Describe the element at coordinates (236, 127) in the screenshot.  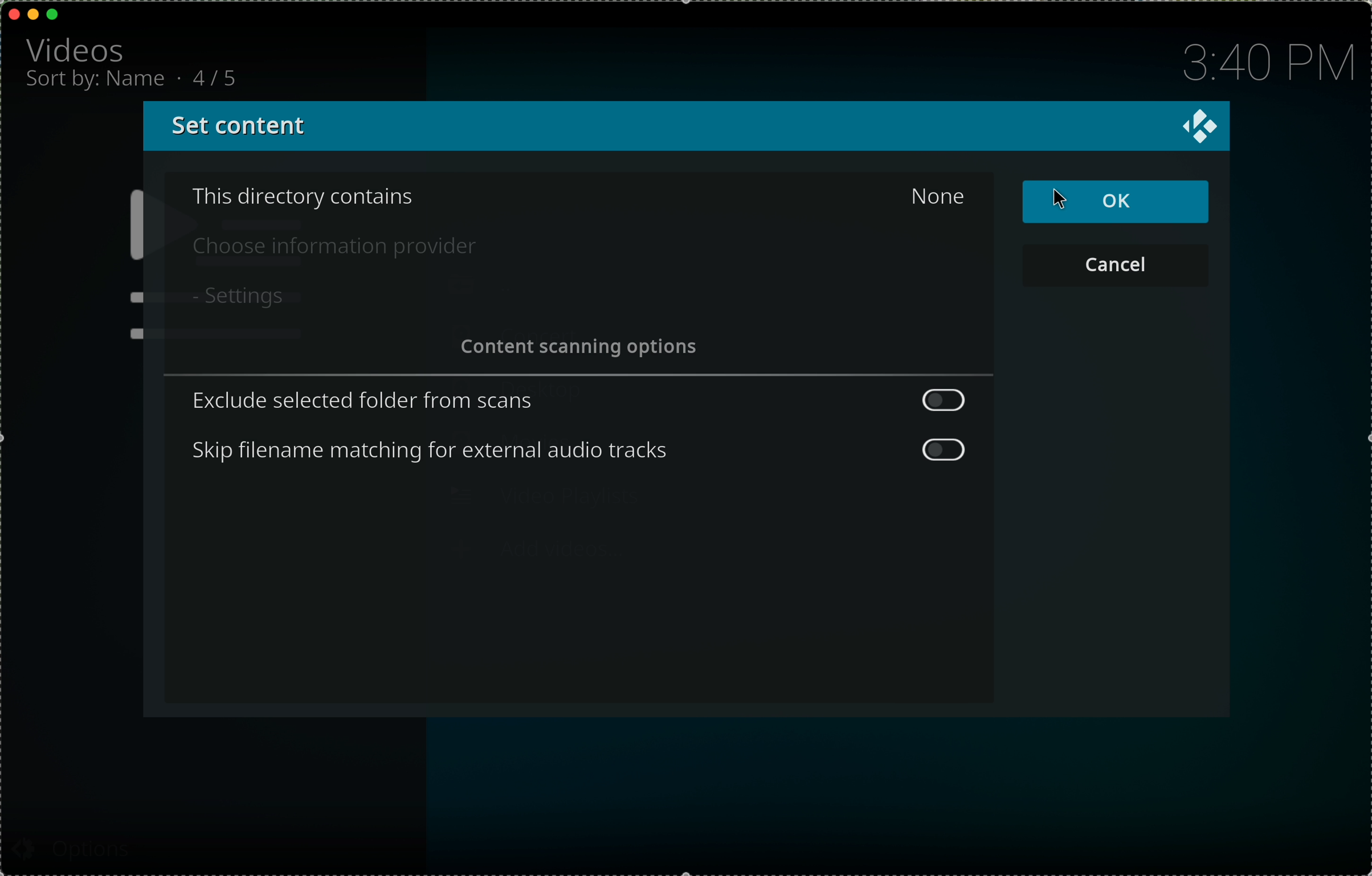
I see `set content` at that location.